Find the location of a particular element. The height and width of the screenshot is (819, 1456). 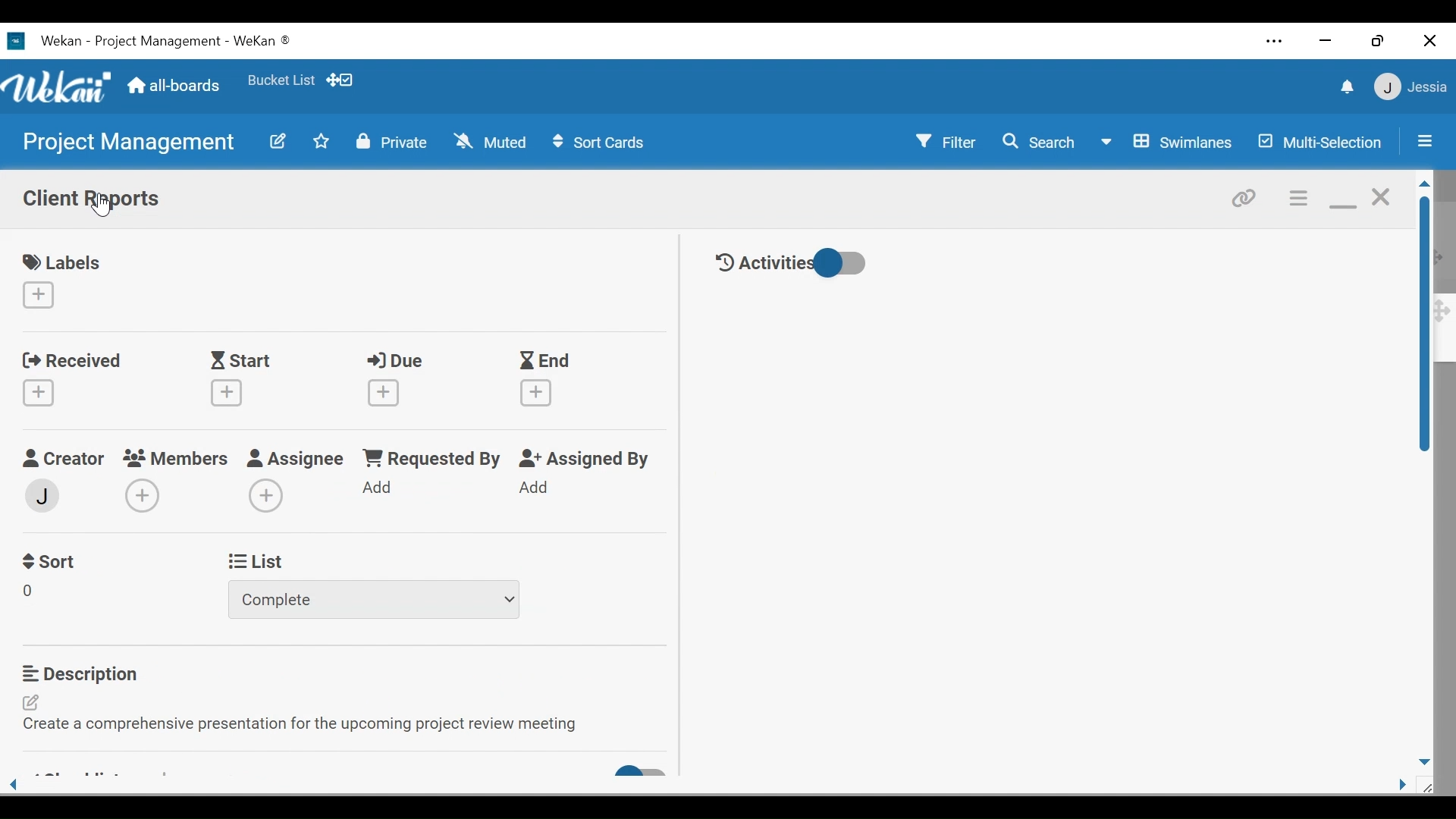

Wekan Desktop icon is located at coordinates (44, 40).